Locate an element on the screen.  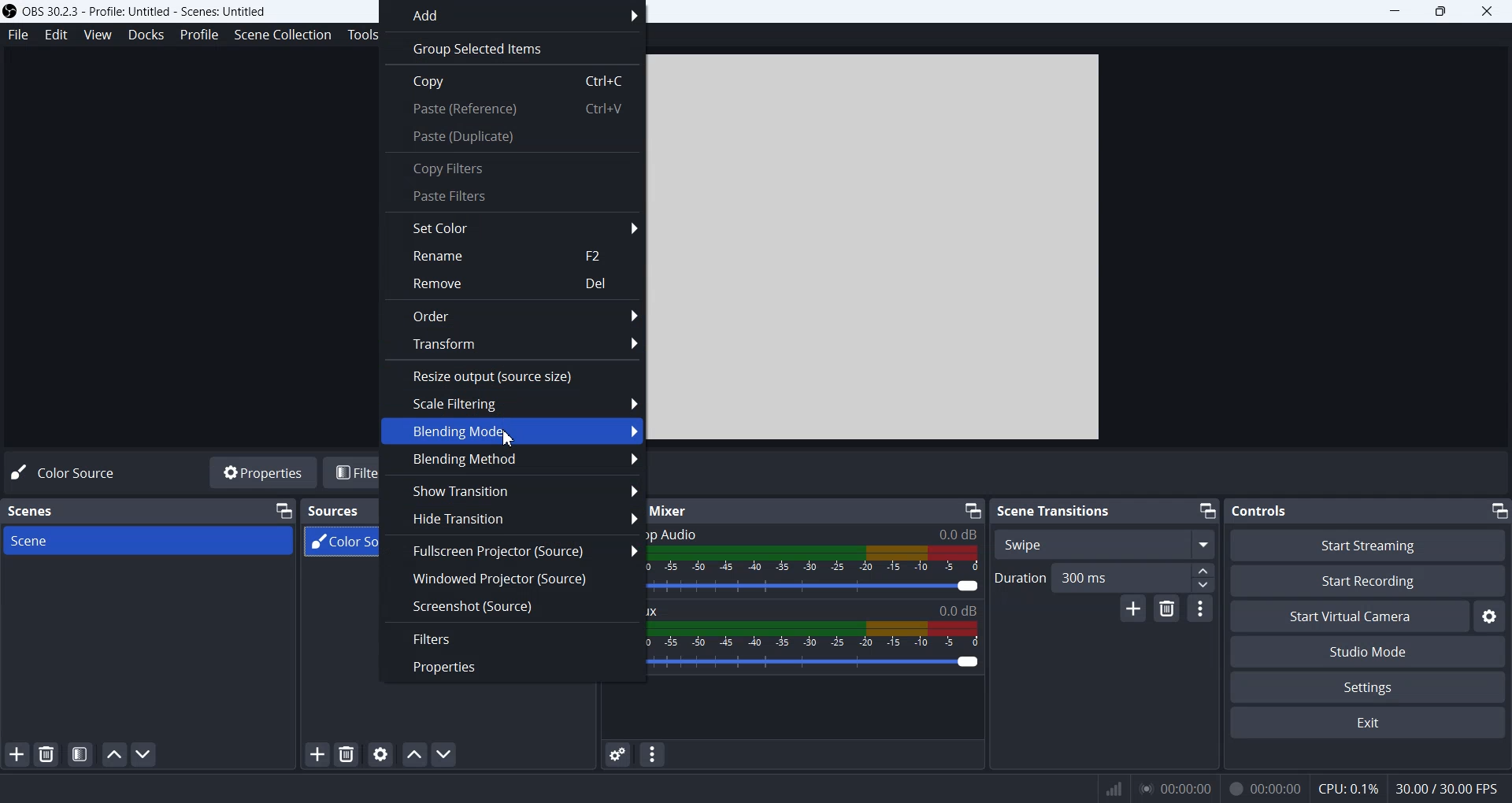
Minimize is located at coordinates (283, 509).